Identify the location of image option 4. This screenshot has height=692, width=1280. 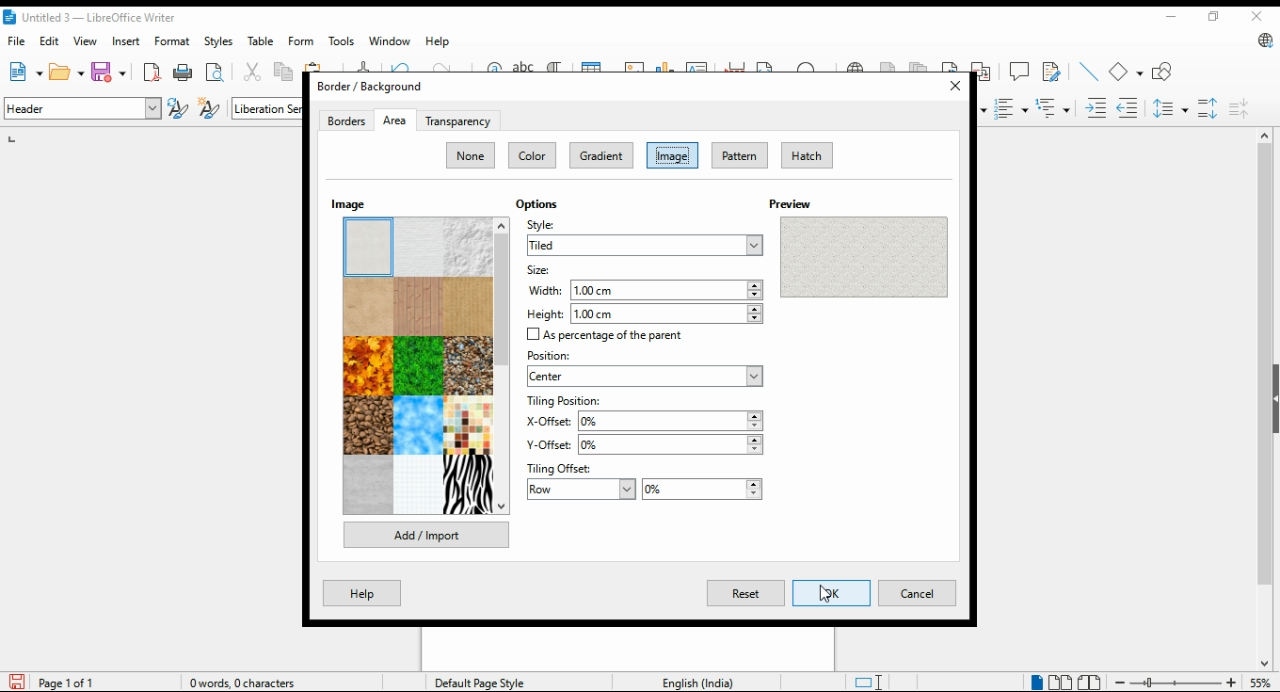
(368, 306).